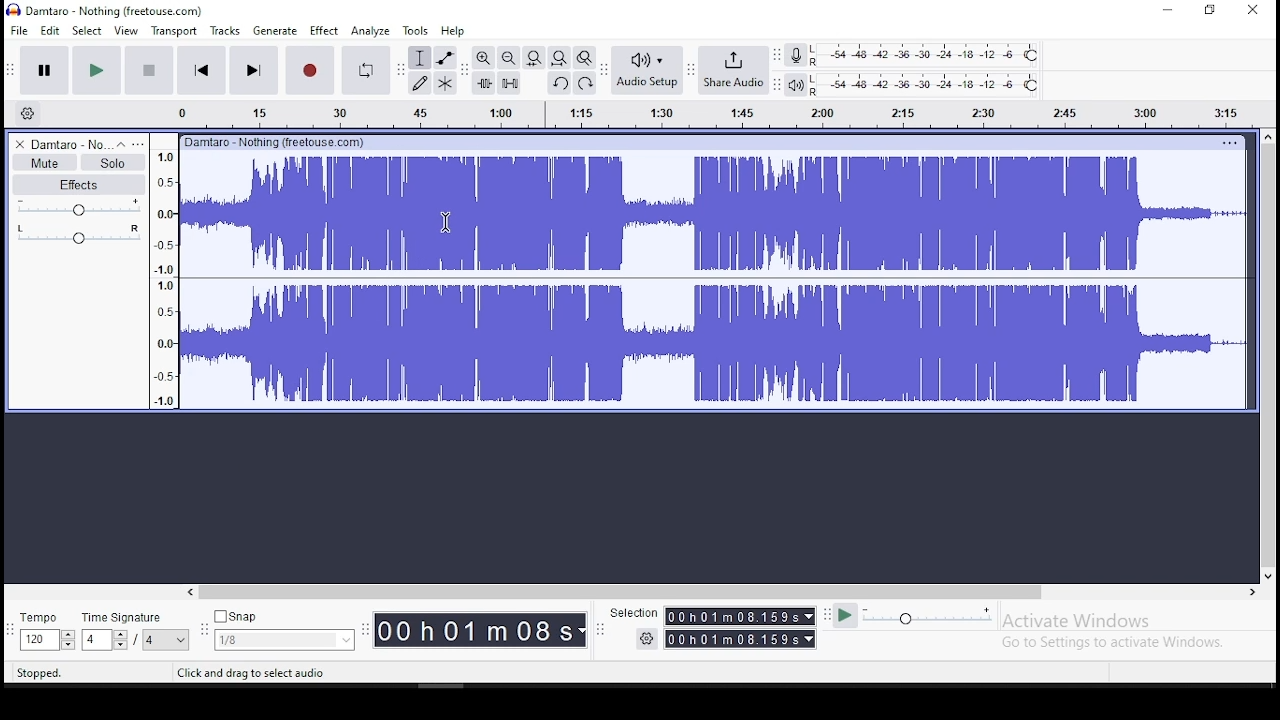  Describe the element at coordinates (484, 83) in the screenshot. I see `trim audio outside selection` at that location.